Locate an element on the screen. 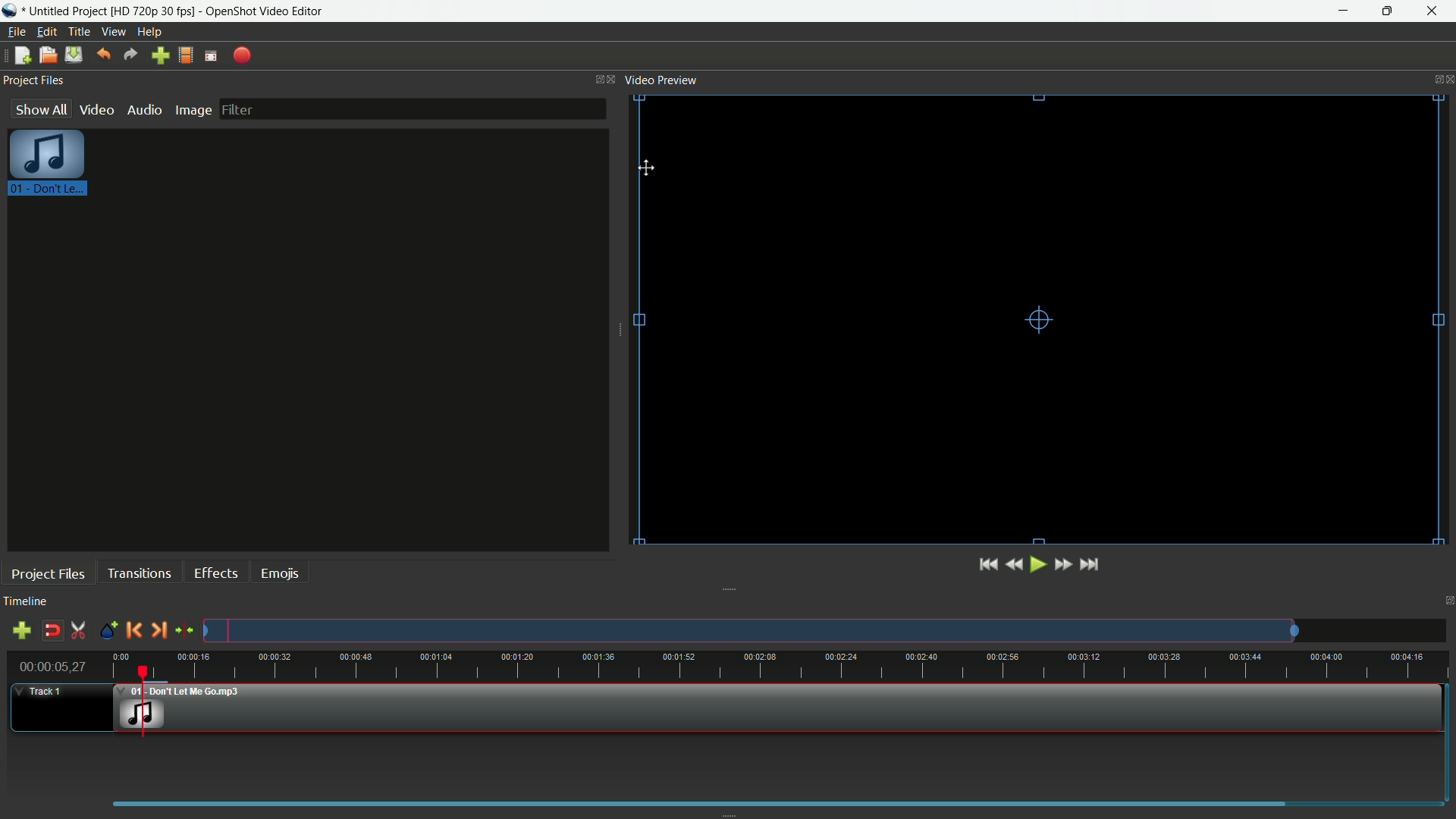 This screenshot has height=819, width=1456. project files is located at coordinates (34, 81).